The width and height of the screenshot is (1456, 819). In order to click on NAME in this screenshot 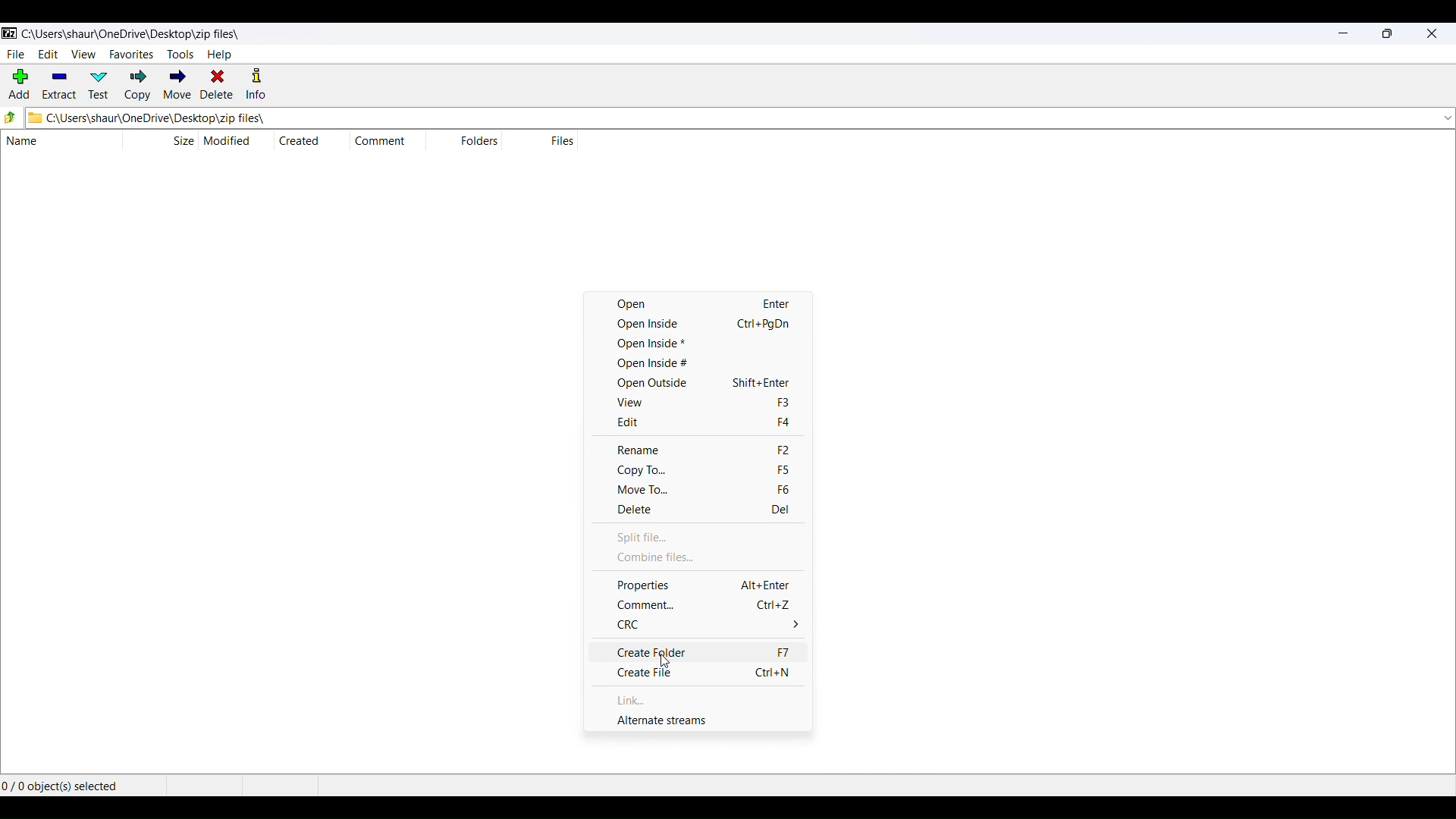, I will do `click(52, 142)`.